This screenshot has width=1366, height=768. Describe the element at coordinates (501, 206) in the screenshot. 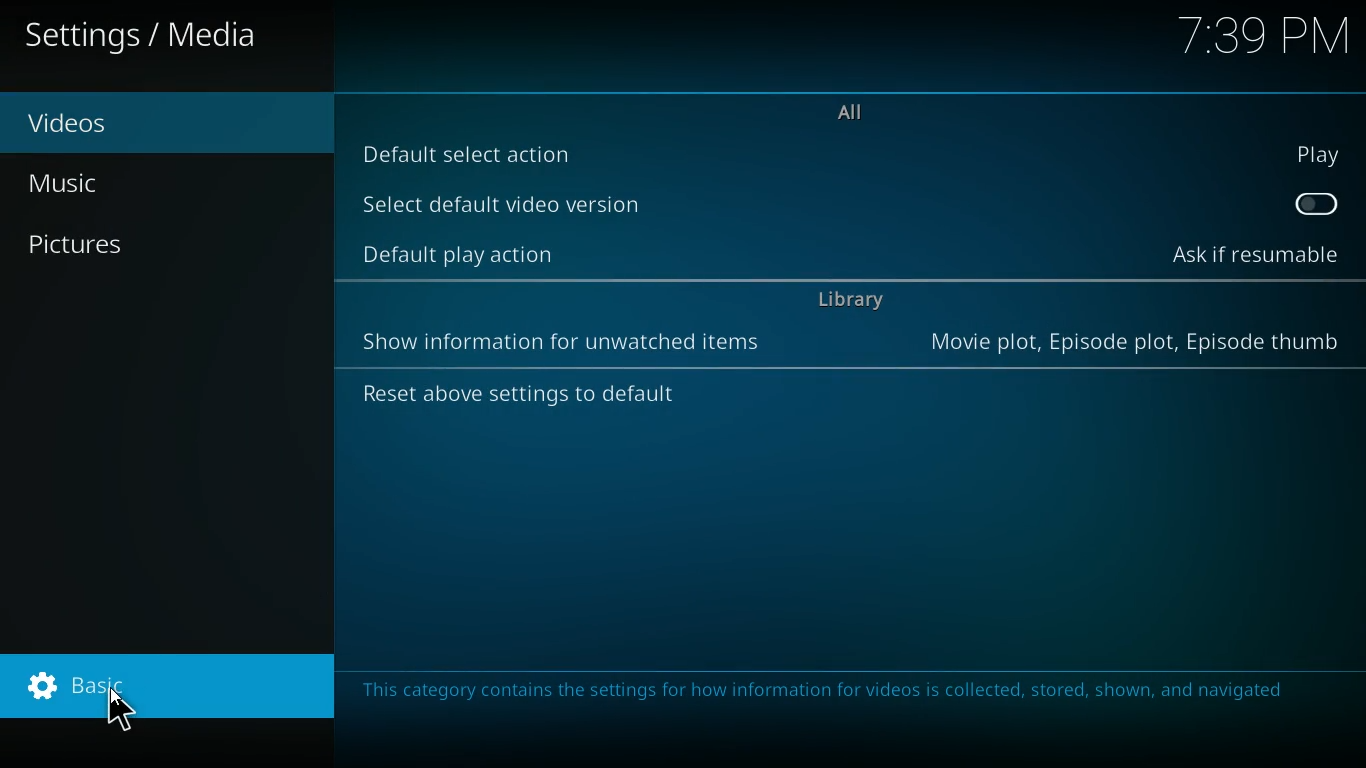

I see `select default video version` at that location.